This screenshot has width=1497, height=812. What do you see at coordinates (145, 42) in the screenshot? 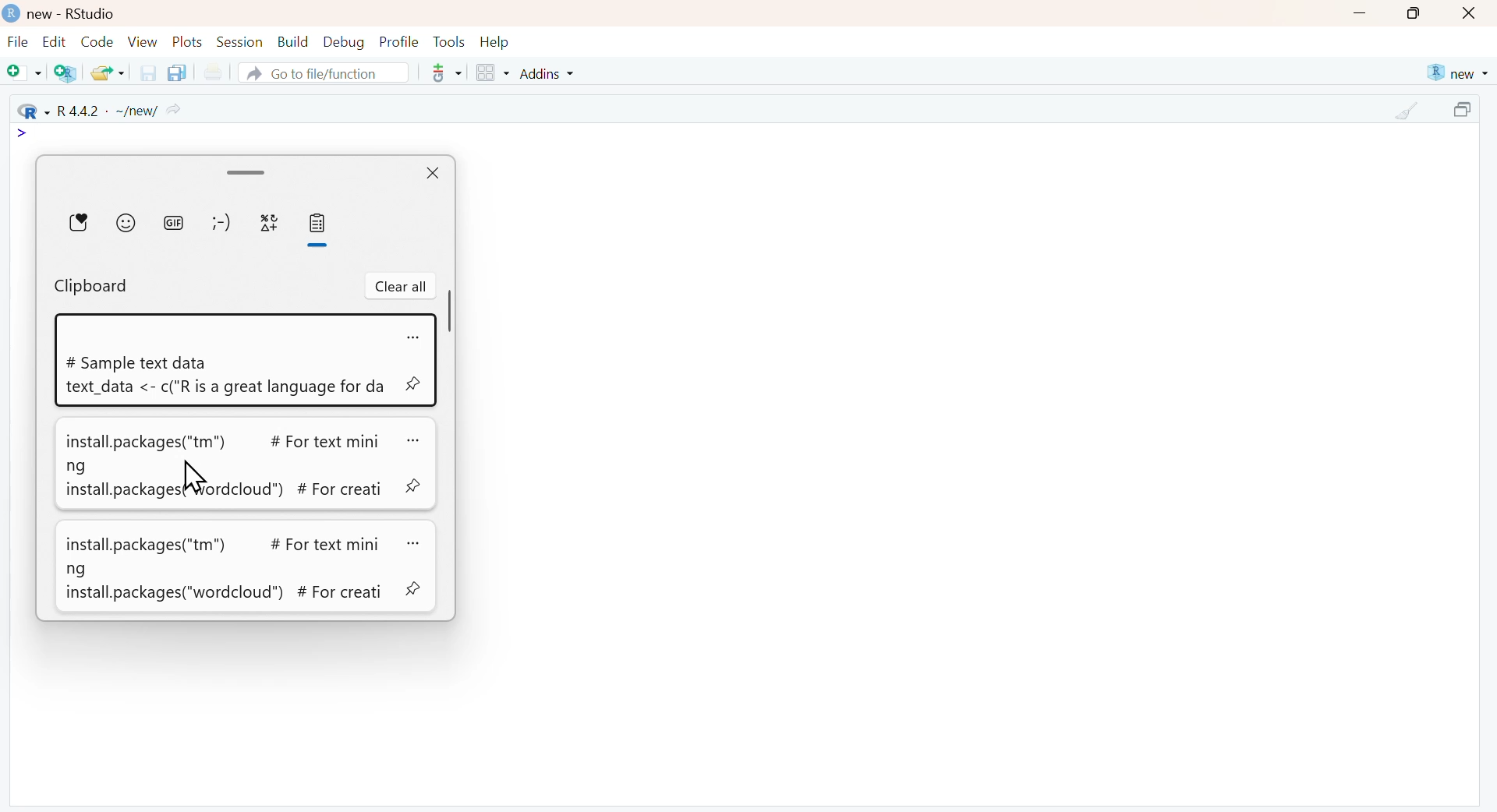
I see `View` at bounding box center [145, 42].